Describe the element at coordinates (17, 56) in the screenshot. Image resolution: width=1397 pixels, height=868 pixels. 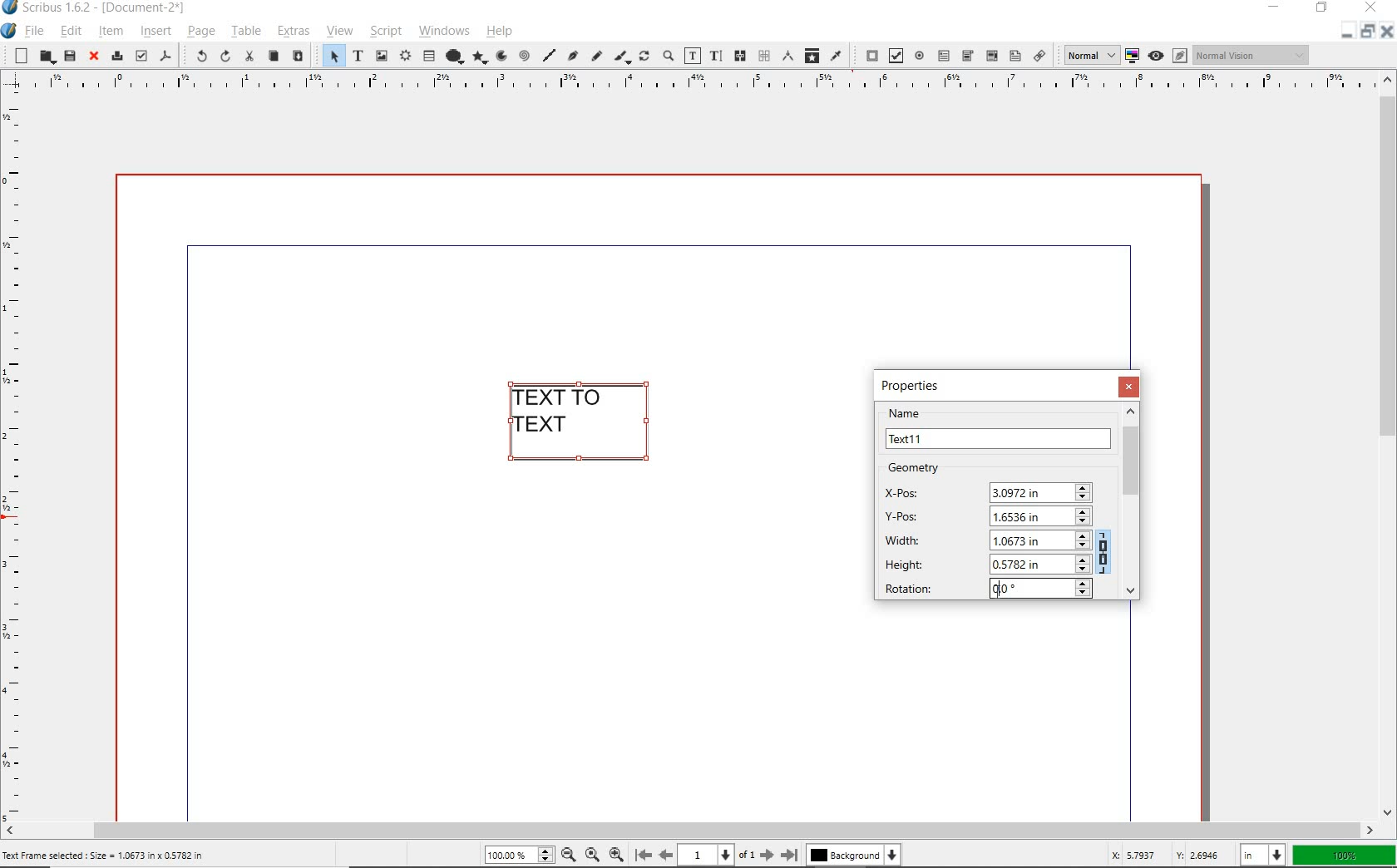
I see `new` at that location.